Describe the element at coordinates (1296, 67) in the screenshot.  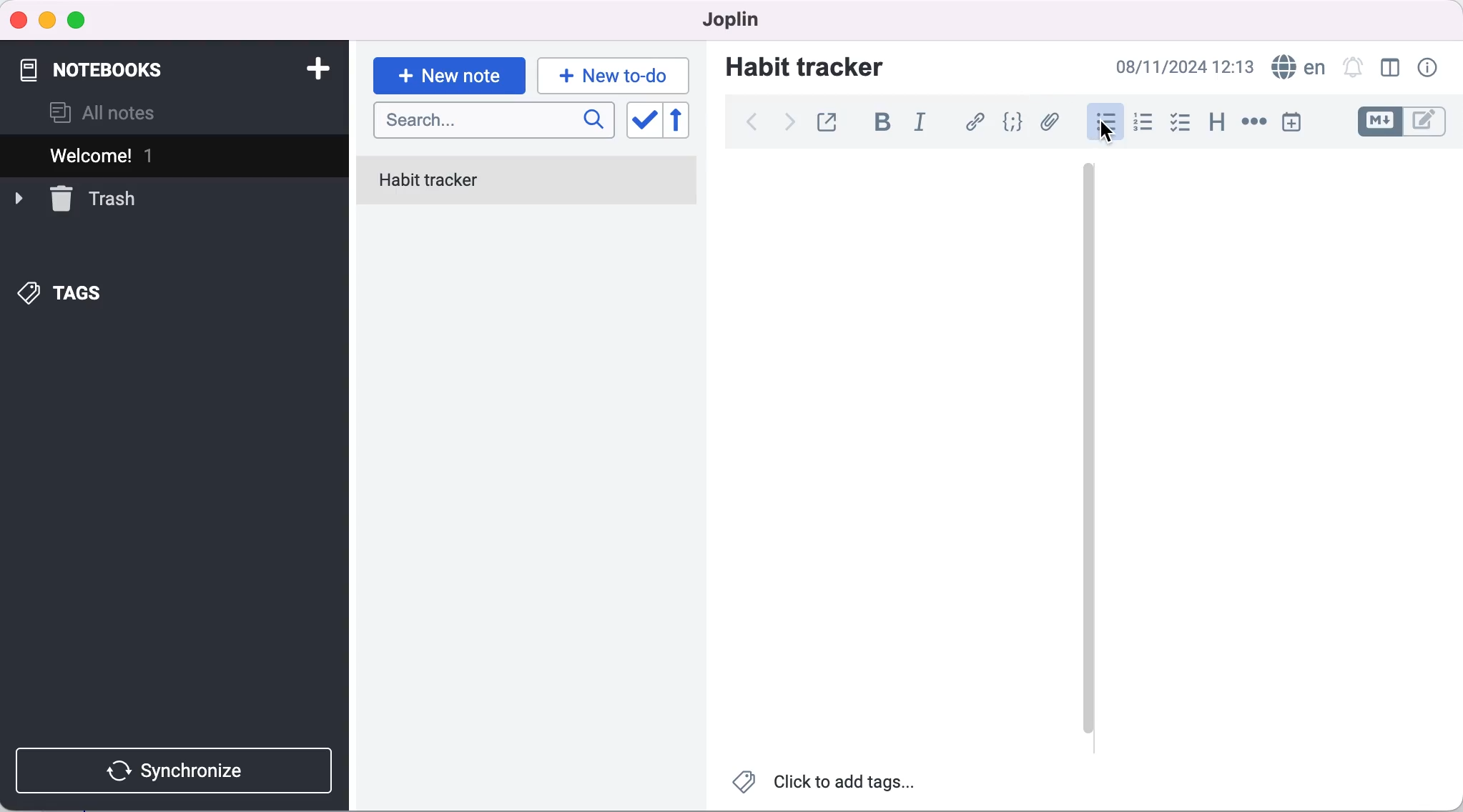
I see `language` at that location.